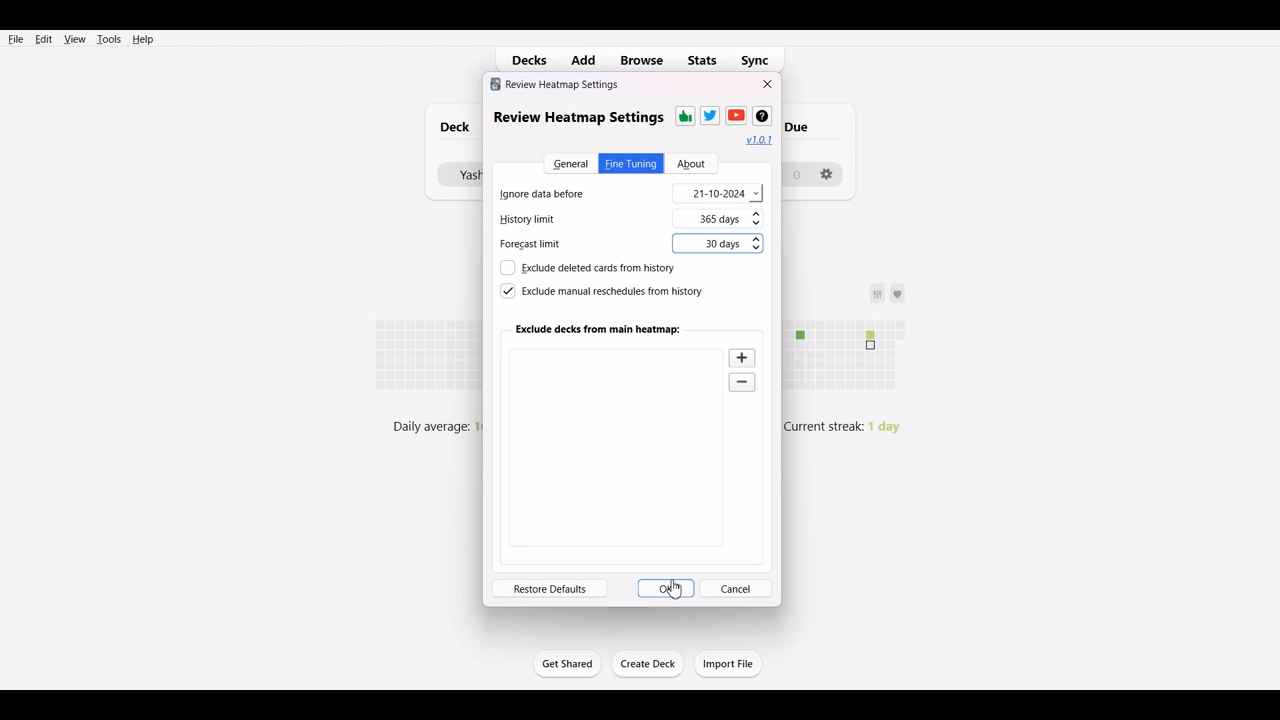  I want to click on Browse, so click(641, 59).